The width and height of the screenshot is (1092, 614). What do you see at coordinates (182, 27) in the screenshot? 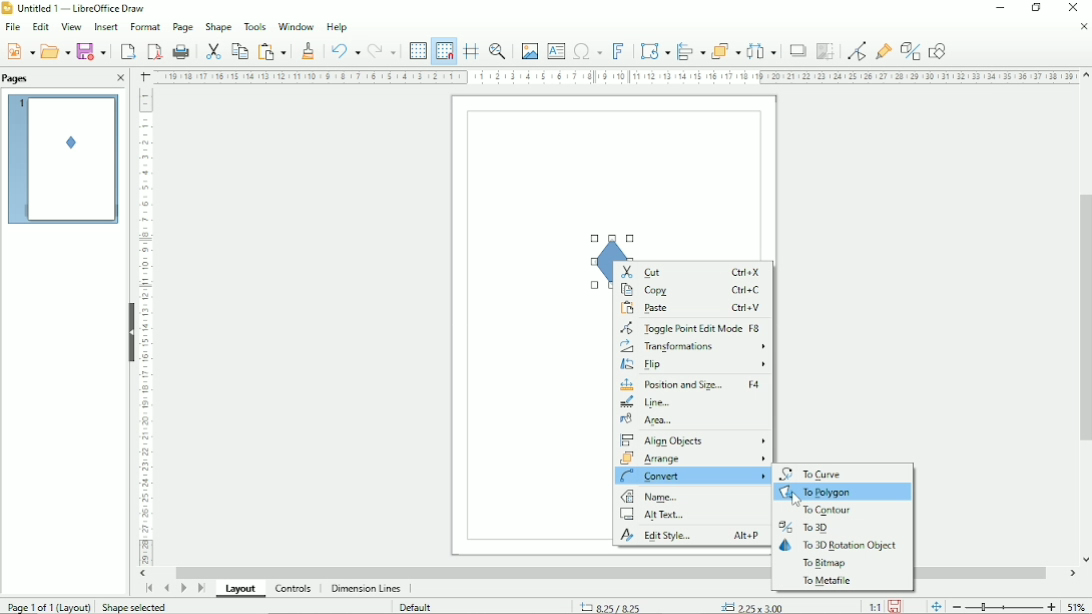
I see `Page` at bounding box center [182, 27].